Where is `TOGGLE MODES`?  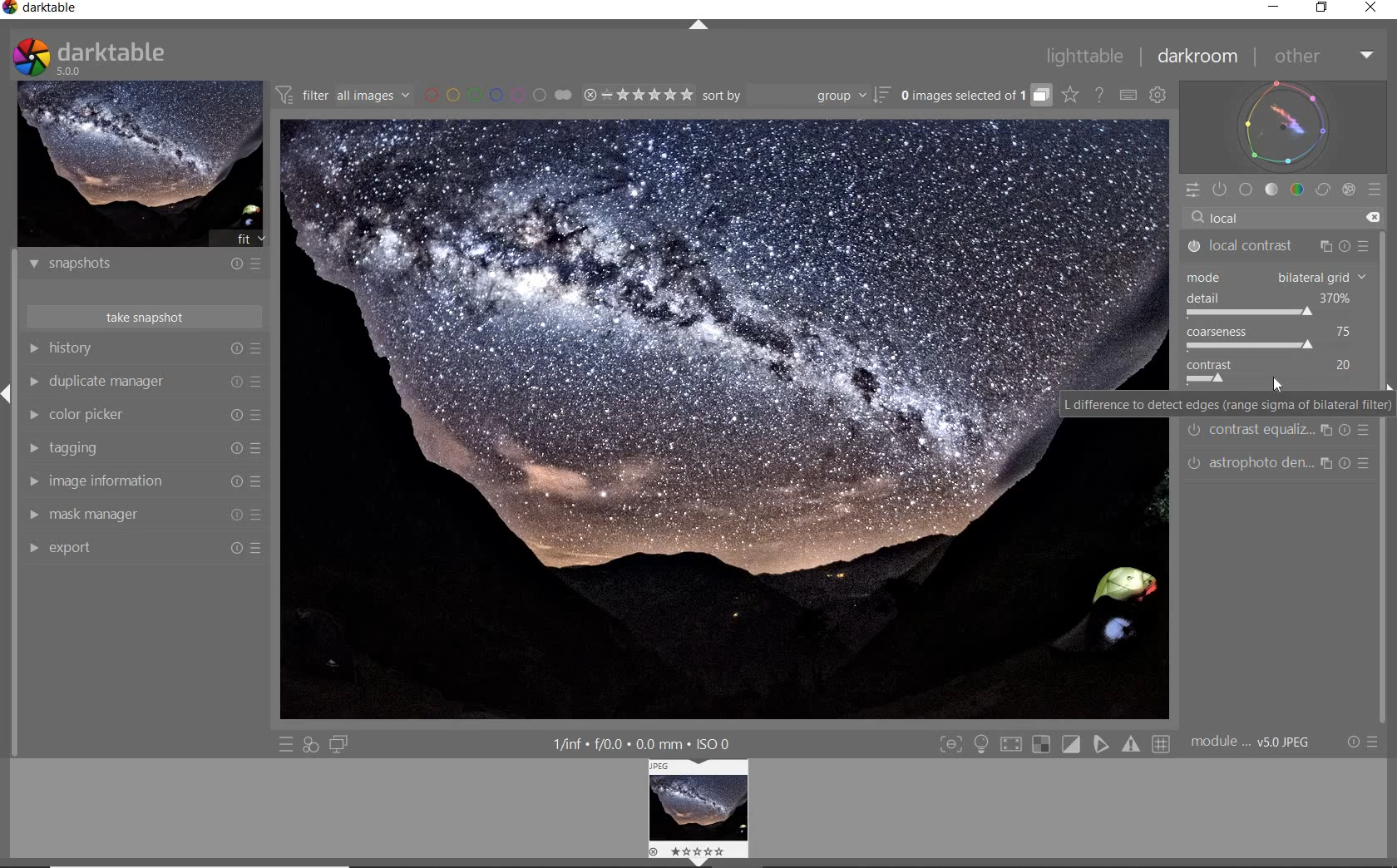
TOGGLE MODES is located at coordinates (1055, 744).